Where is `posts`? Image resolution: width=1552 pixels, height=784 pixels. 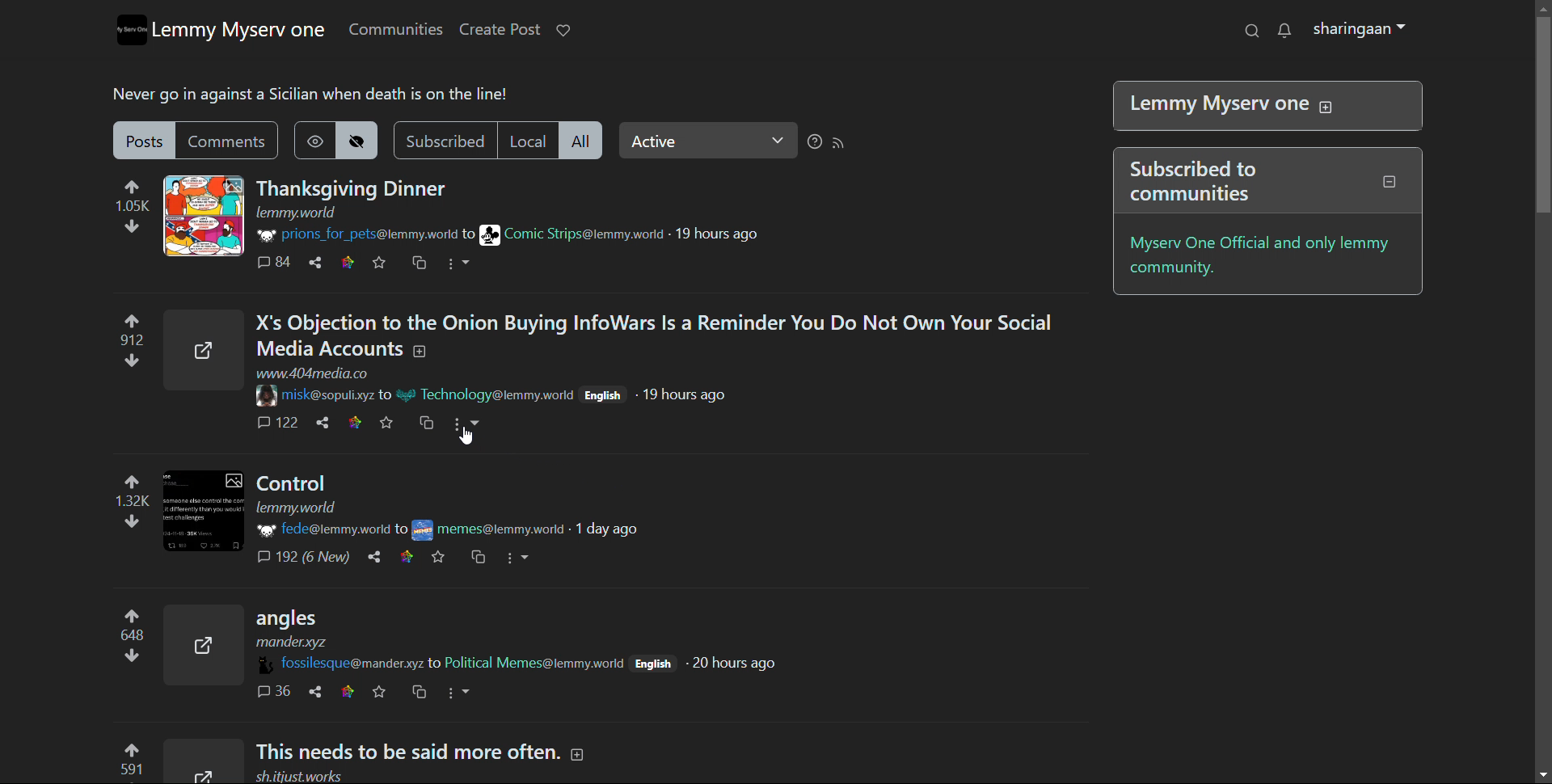
posts is located at coordinates (145, 140).